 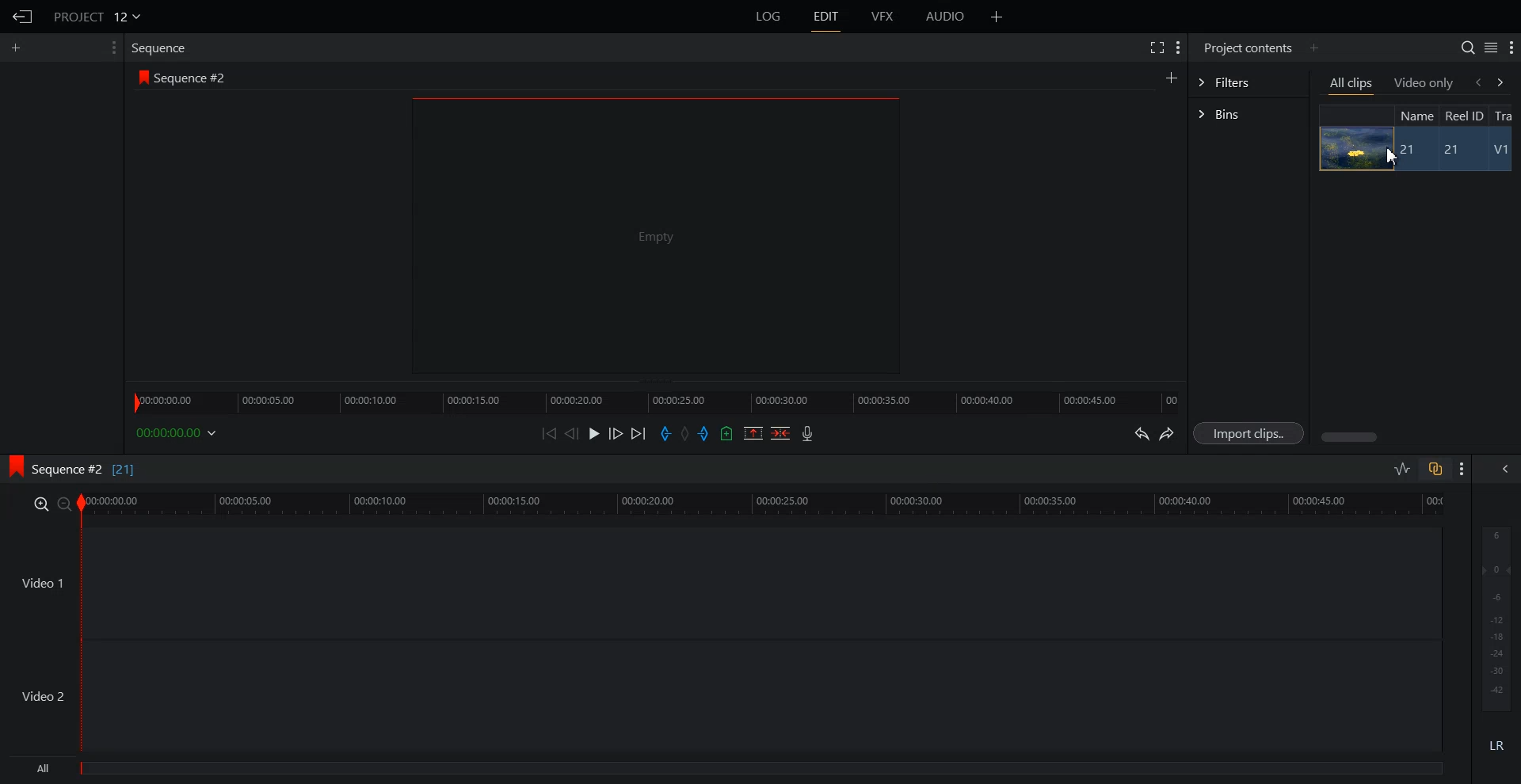 What do you see at coordinates (1352, 85) in the screenshot?
I see `All clips` at bounding box center [1352, 85].